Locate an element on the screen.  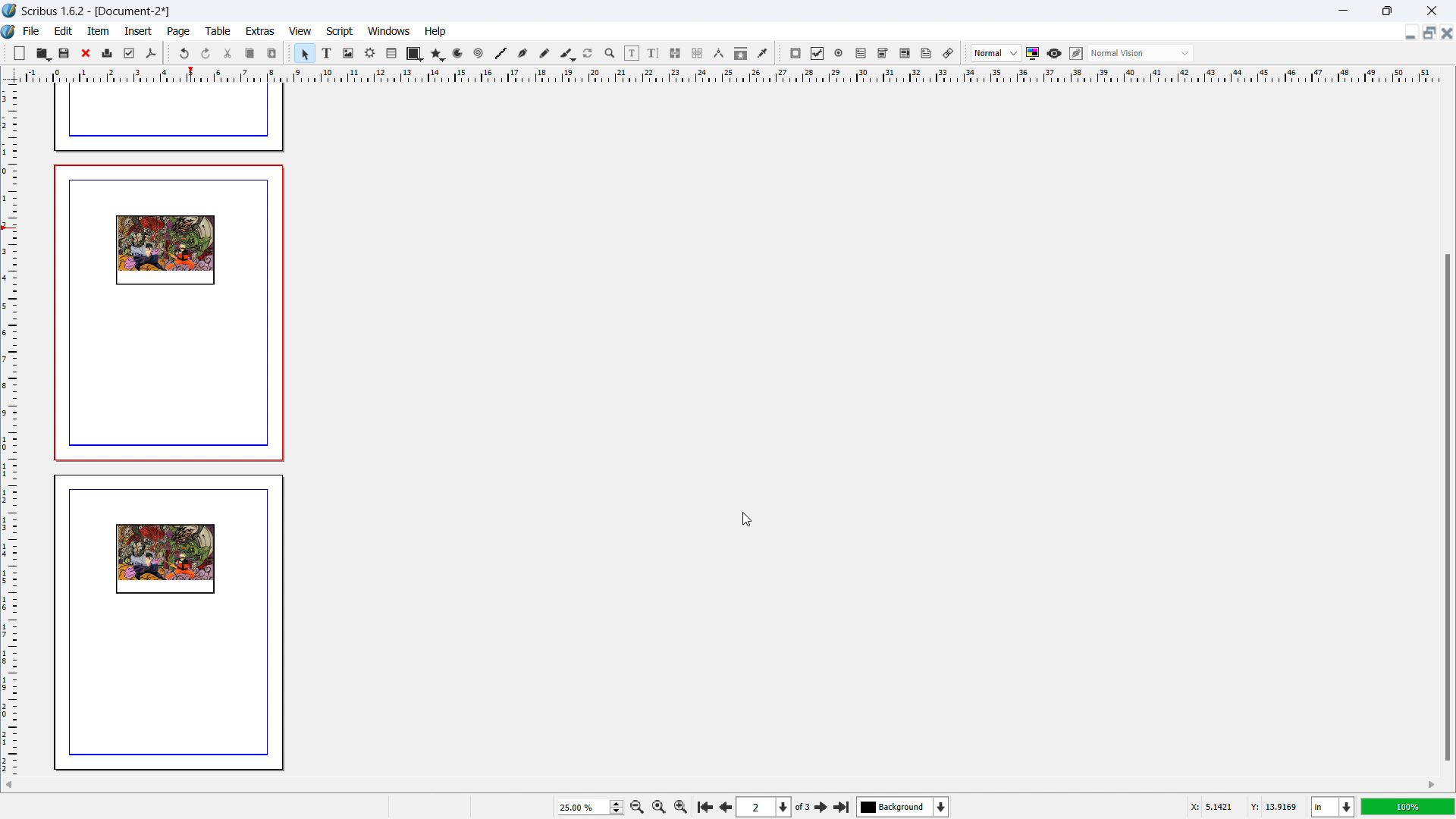
pdf combo box is located at coordinates (882, 53).